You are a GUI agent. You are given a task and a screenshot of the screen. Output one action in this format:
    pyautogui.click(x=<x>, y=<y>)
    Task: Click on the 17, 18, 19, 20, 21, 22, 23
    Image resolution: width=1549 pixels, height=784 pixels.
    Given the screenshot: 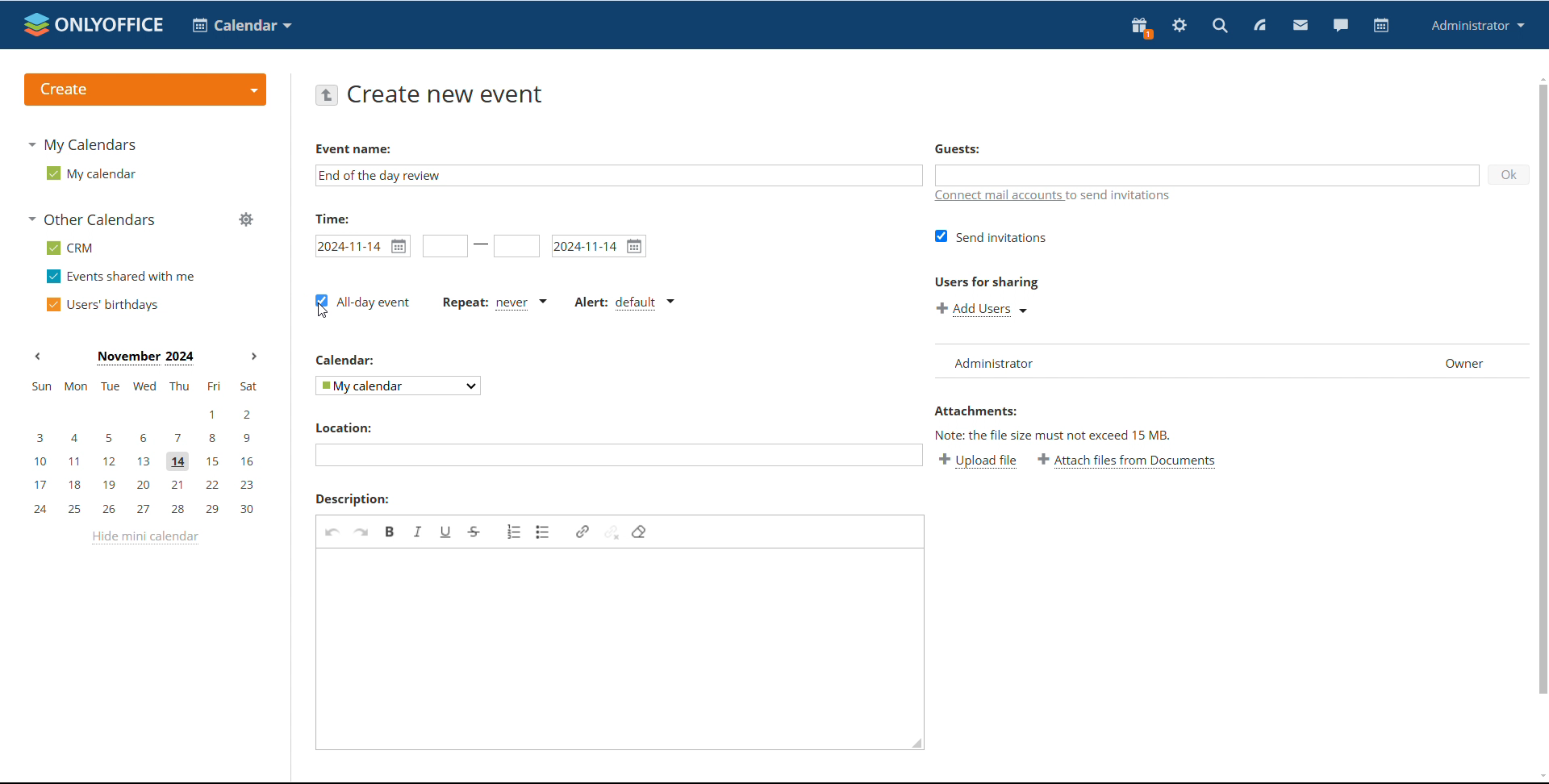 What is the action you would take?
    pyautogui.click(x=148, y=485)
    